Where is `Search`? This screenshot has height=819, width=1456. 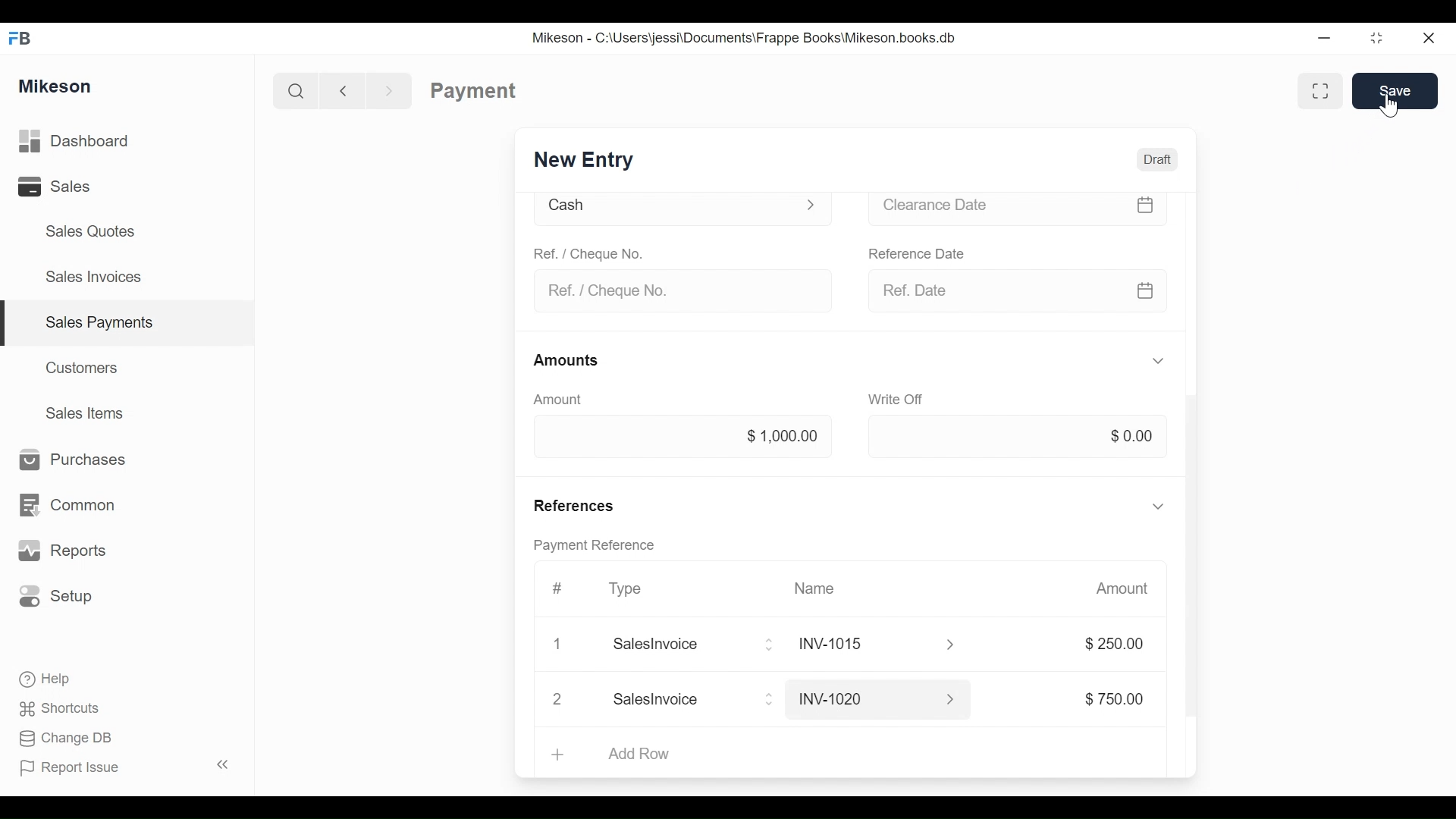 Search is located at coordinates (291, 89).